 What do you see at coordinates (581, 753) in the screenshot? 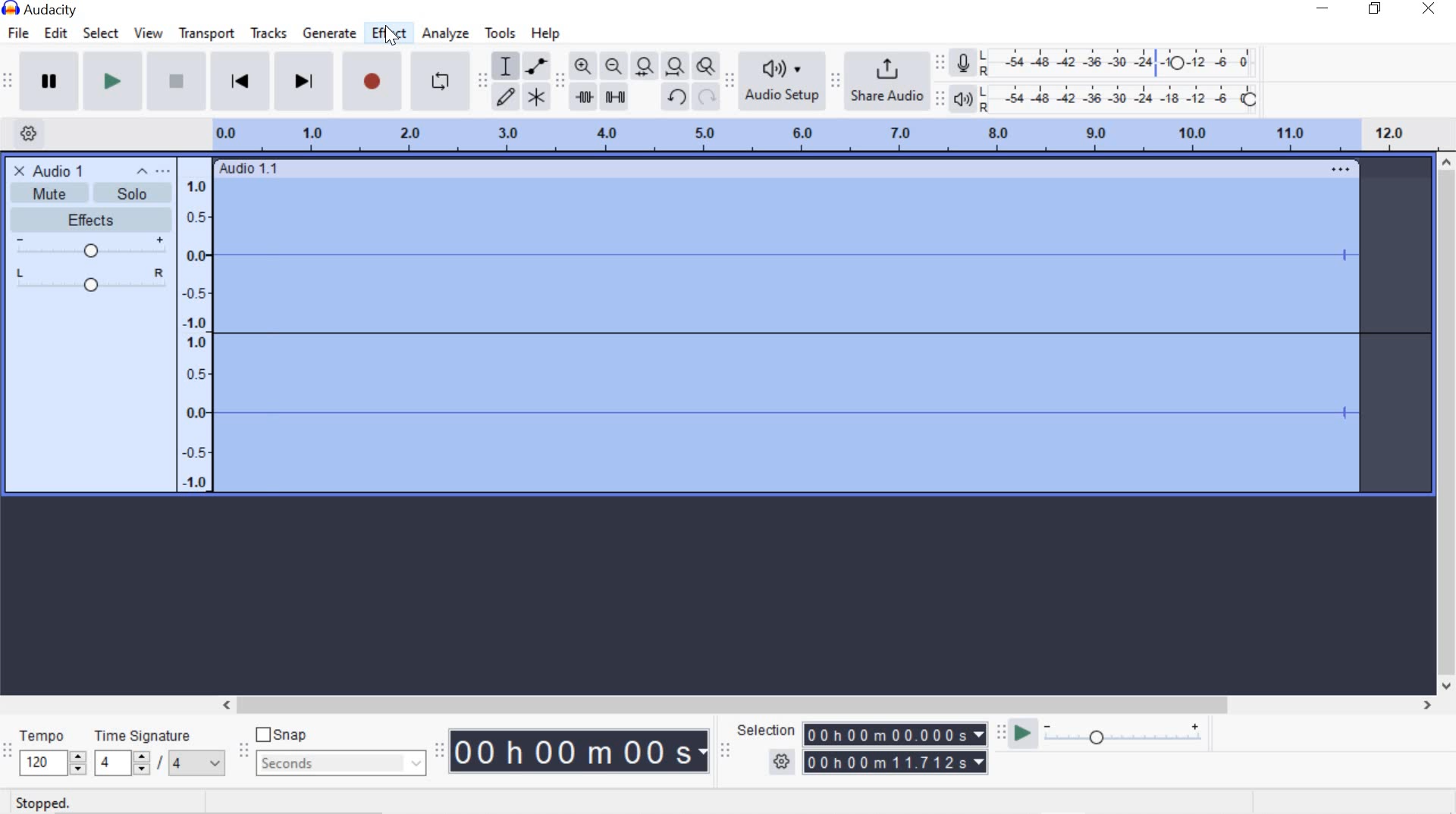
I see `Time` at bounding box center [581, 753].